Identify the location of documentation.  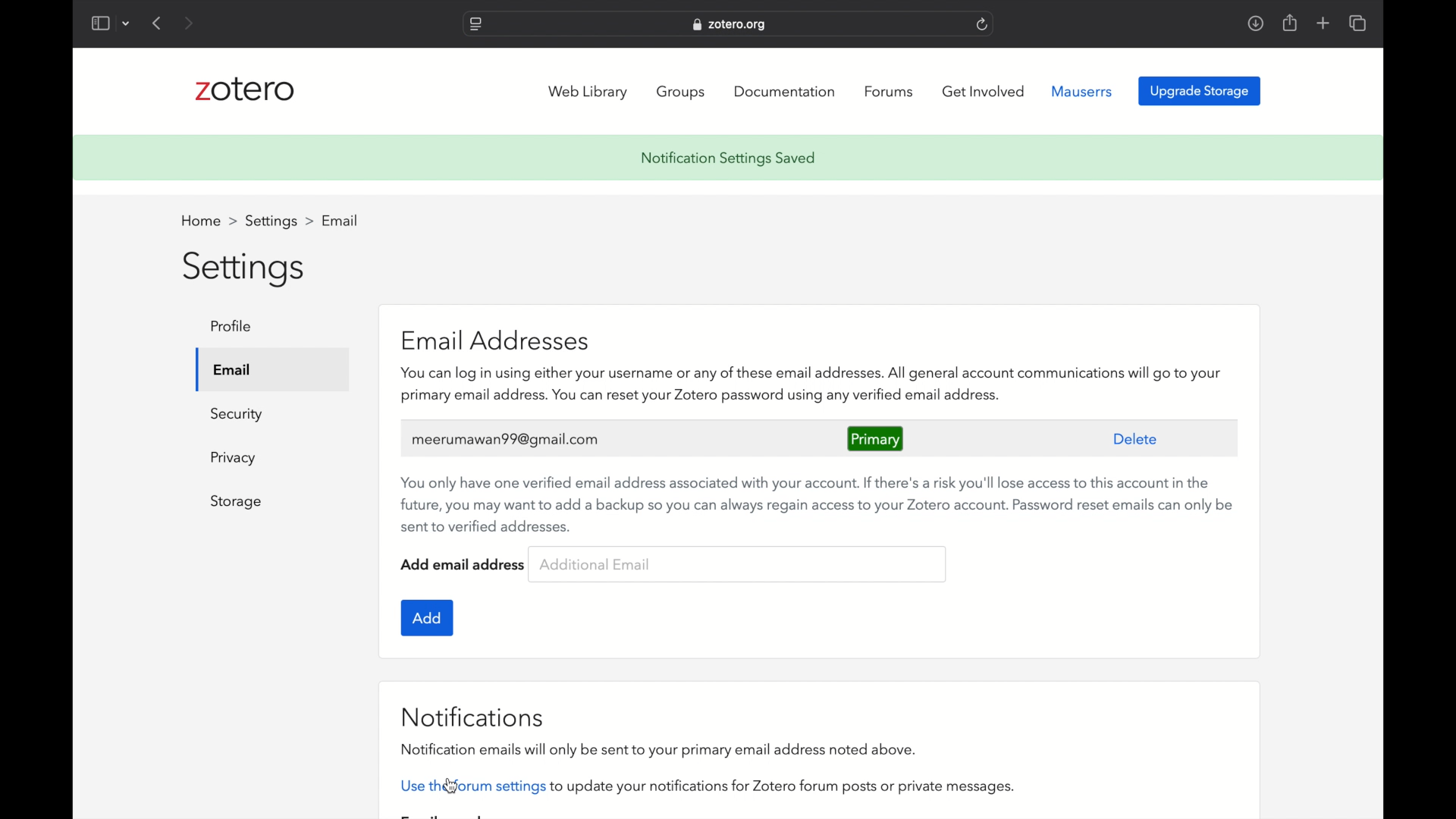
(783, 92).